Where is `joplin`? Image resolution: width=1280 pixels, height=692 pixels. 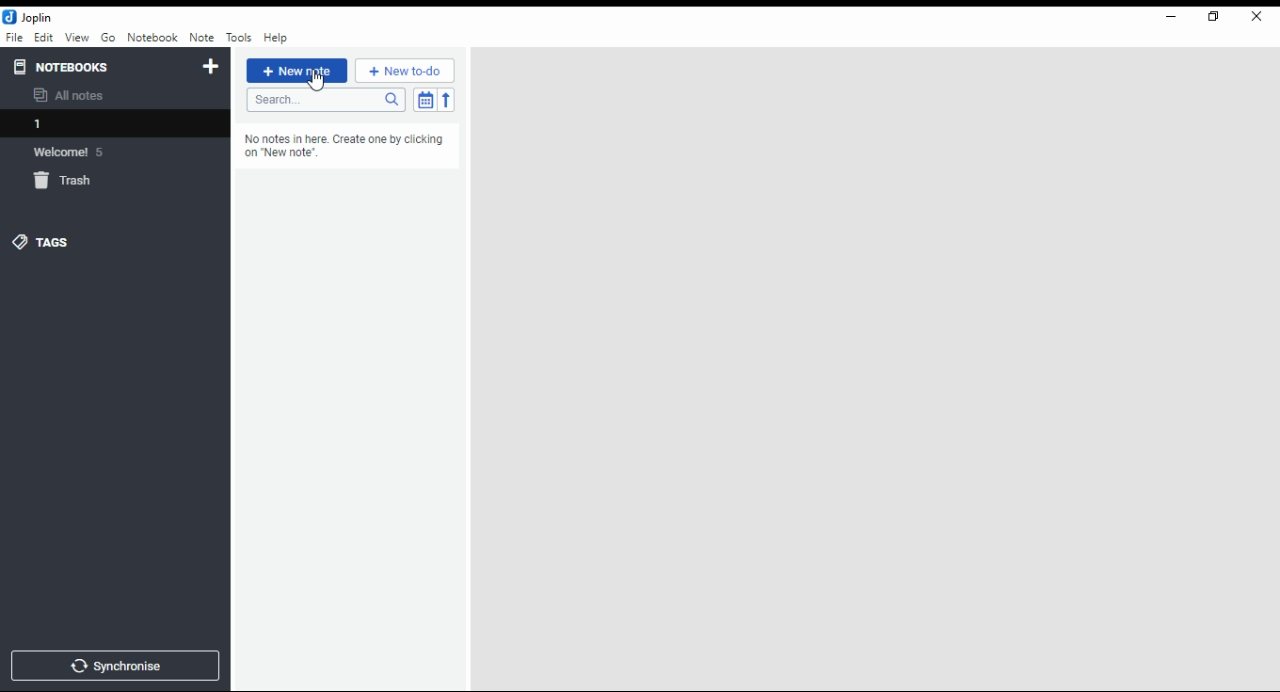
joplin is located at coordinates (29, 17).